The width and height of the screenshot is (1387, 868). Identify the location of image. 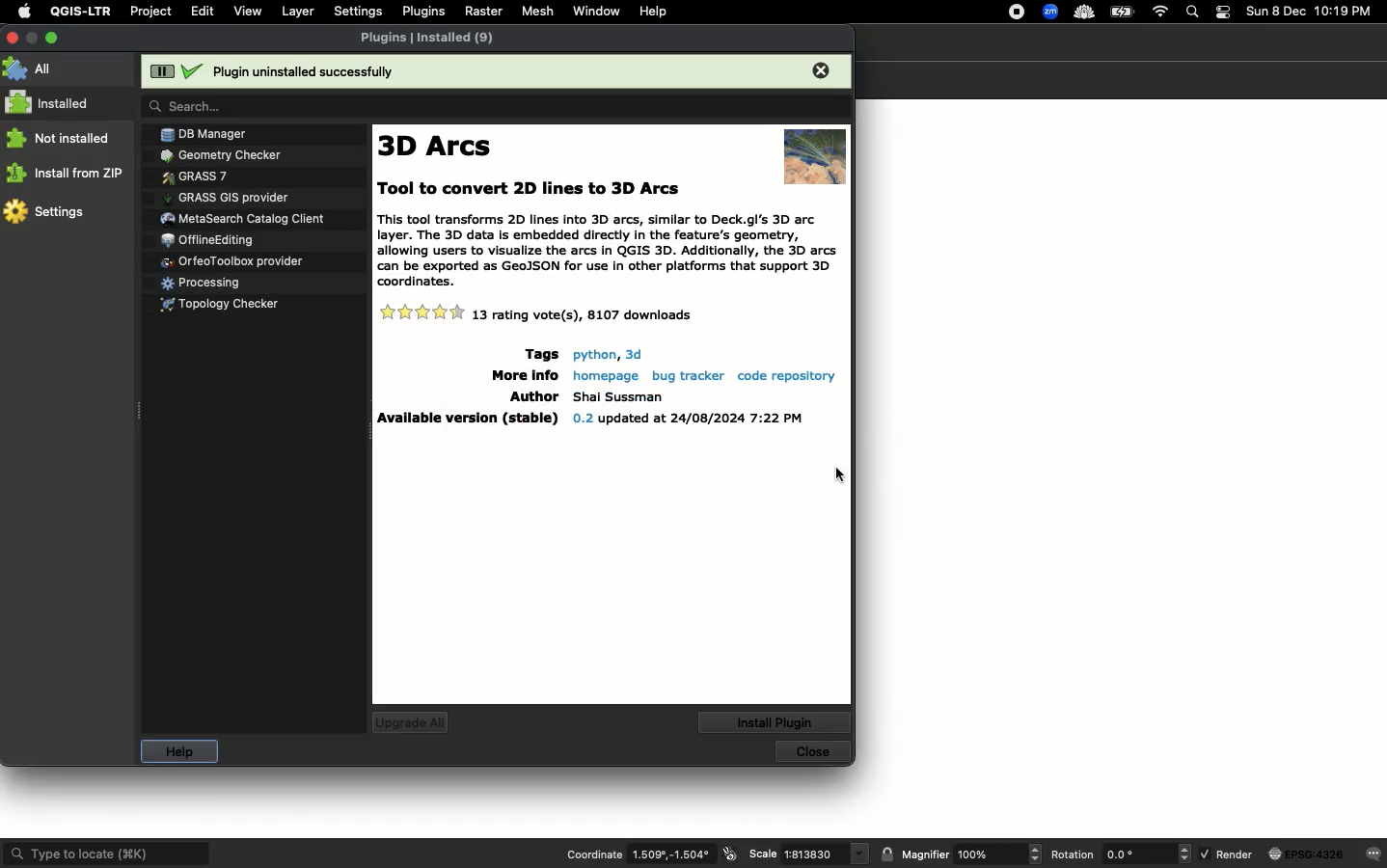
(814, 156).